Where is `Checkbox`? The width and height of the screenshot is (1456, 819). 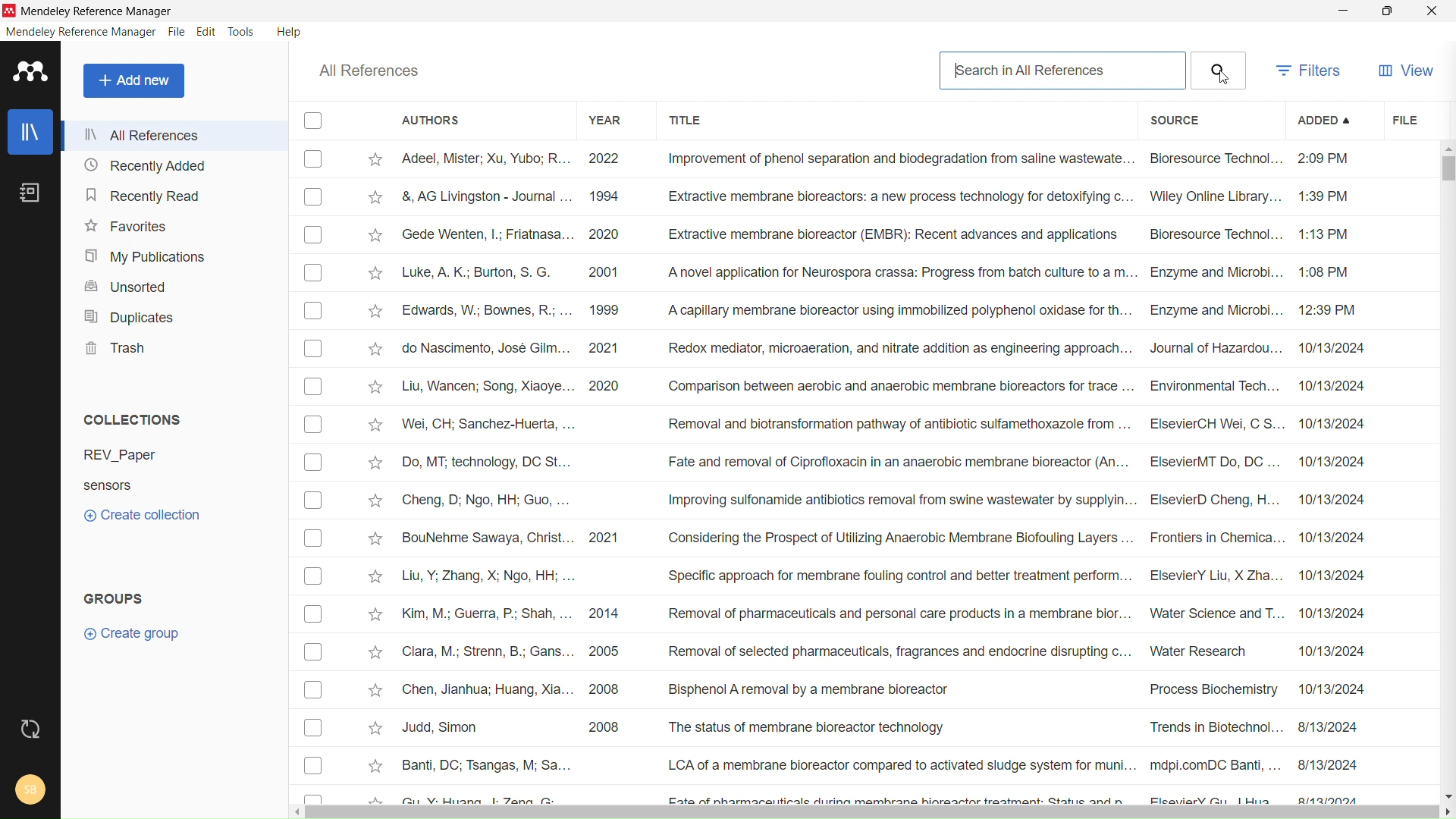 Checkbox is located at coordinates (314, 460).